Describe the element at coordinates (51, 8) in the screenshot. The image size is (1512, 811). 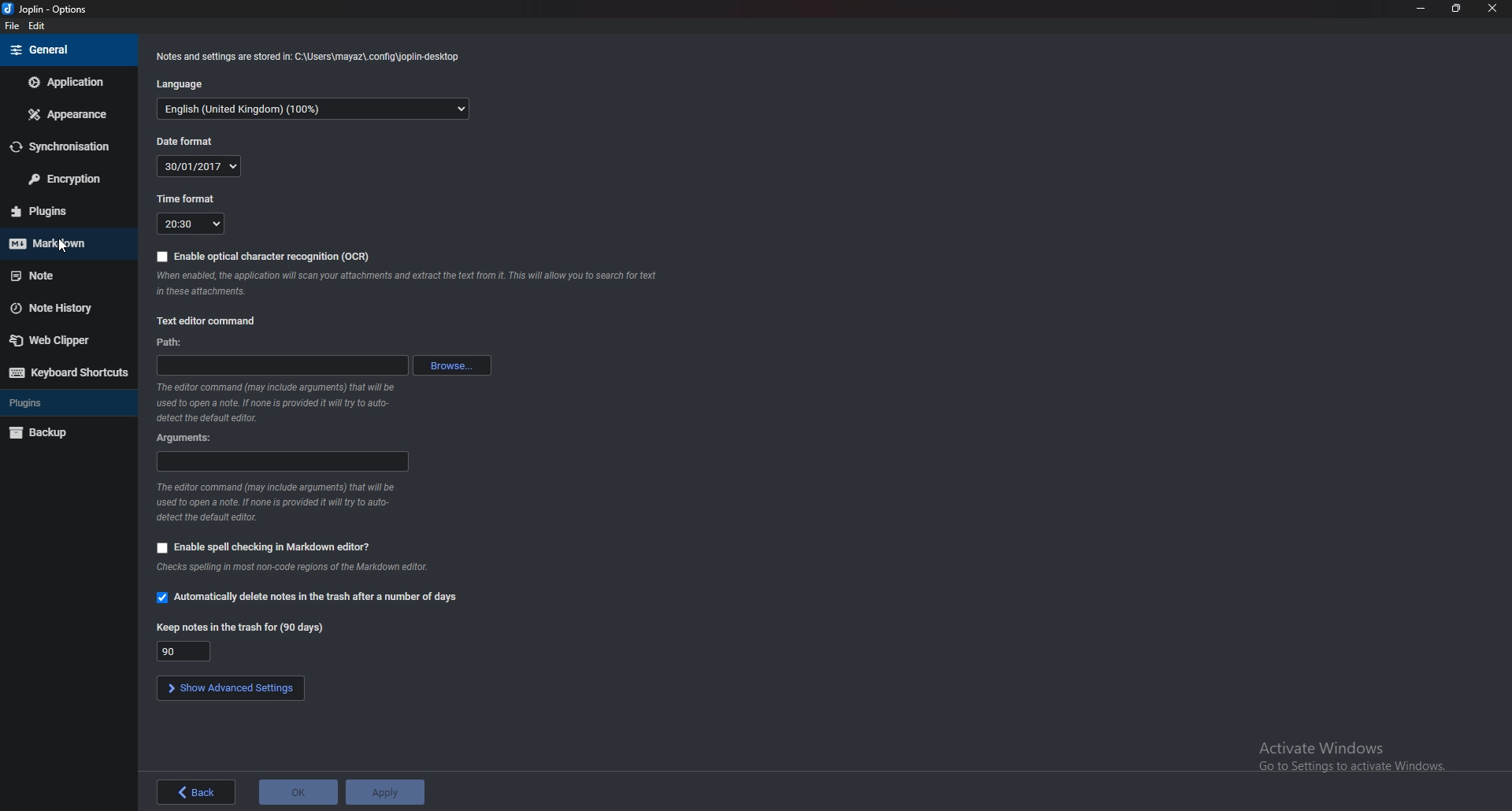
I see `options` at that location.